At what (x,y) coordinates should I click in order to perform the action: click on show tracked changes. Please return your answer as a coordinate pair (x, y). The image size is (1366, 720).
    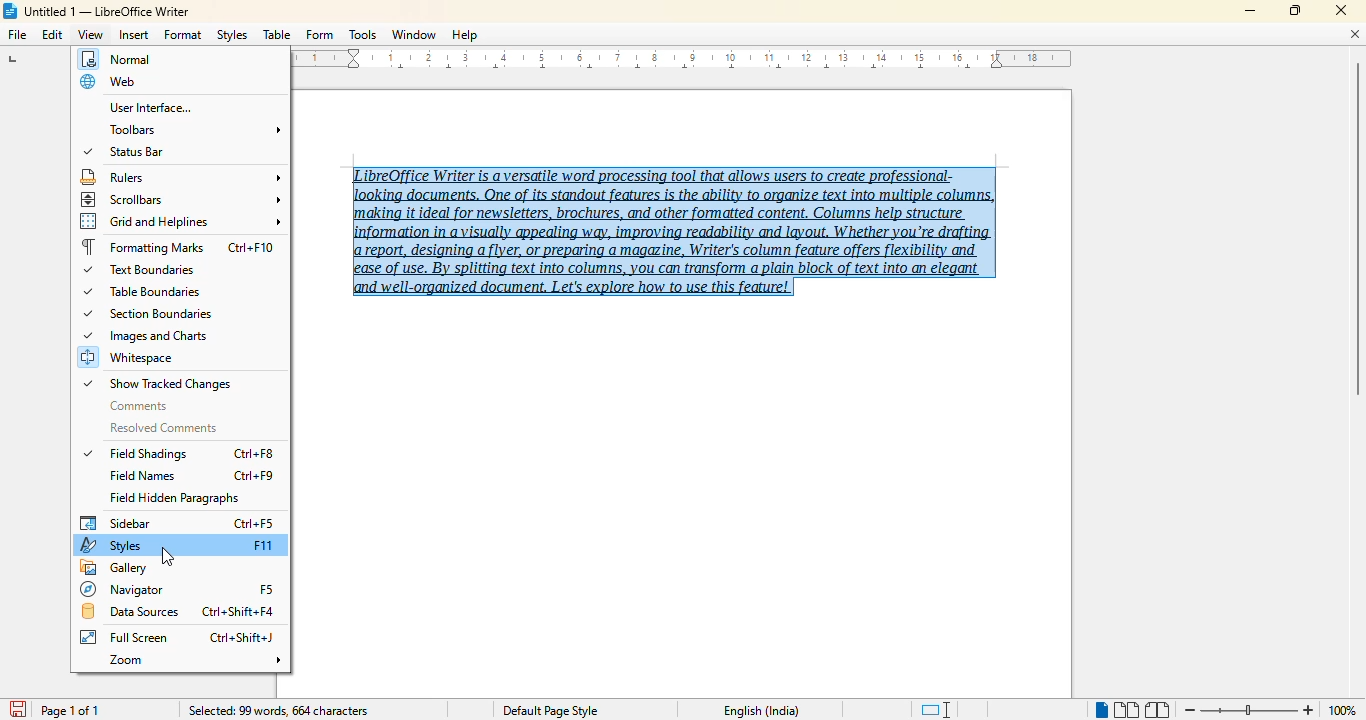
    Looking at the image, I should click on (155, 384).